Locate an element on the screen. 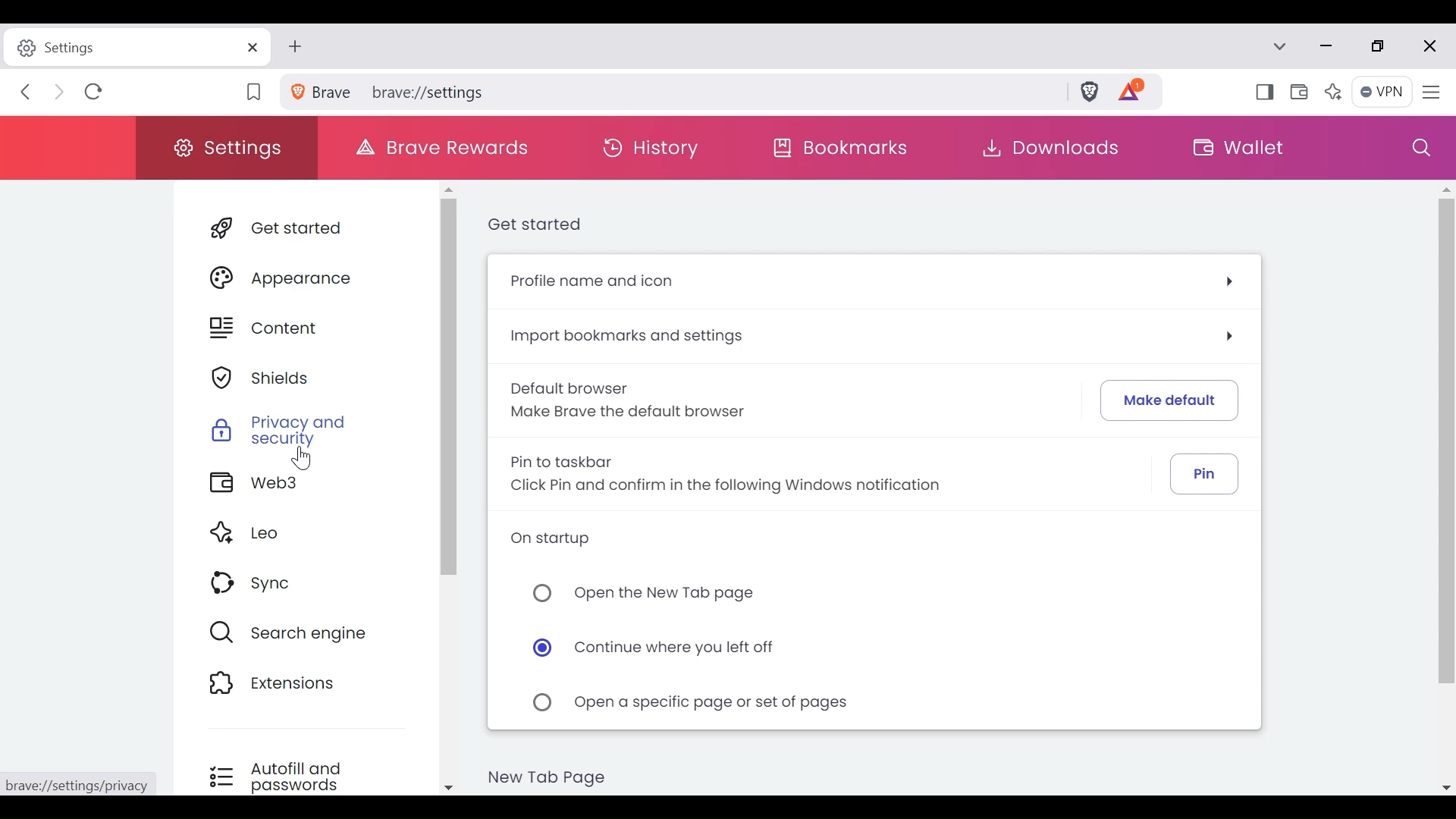 This screenshot has height=819, width=1456. Scroll up is located at coordinates (1445, 188).